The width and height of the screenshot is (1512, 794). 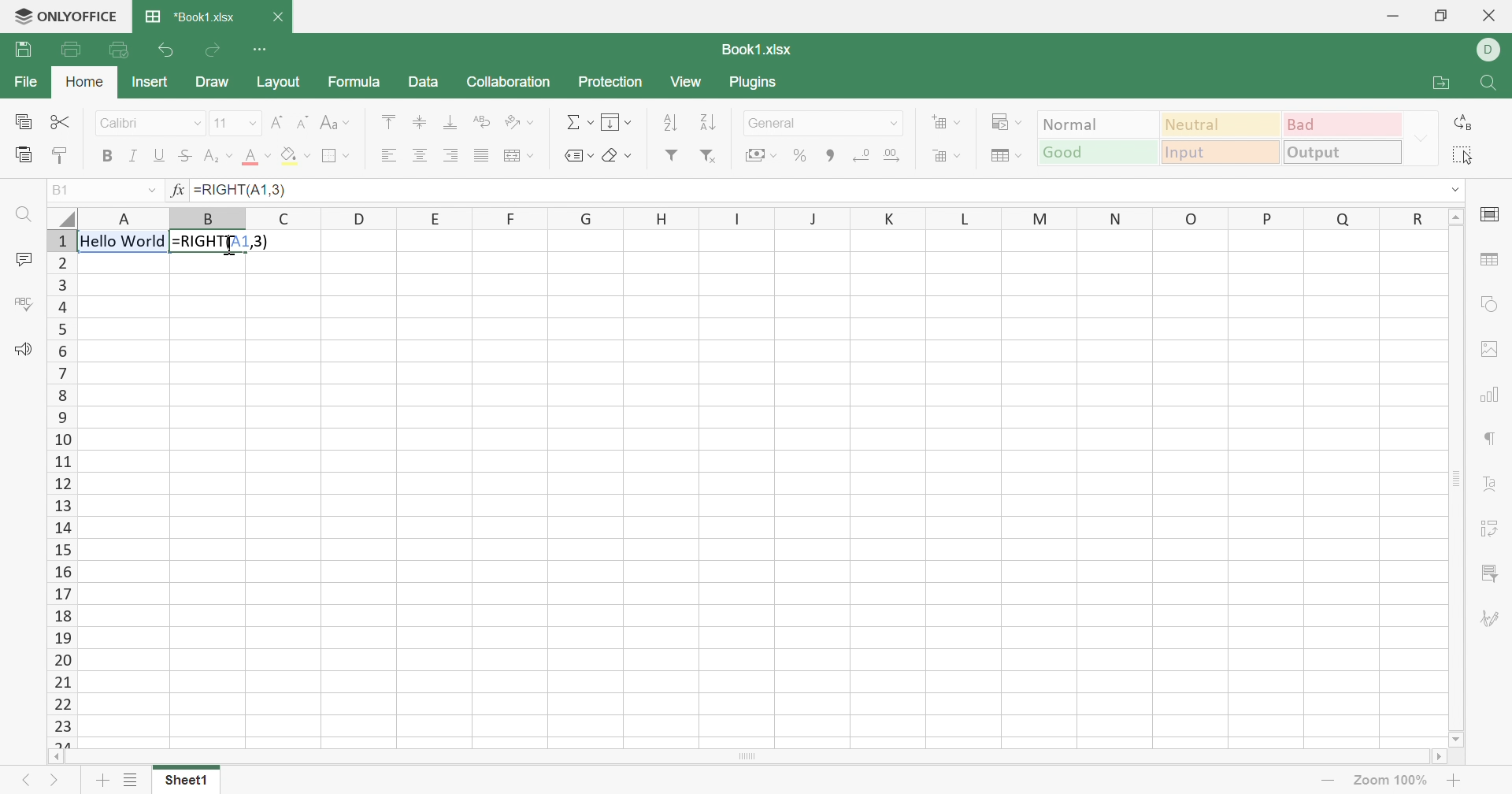 I want to click on B1, so click(x=62, y=188).